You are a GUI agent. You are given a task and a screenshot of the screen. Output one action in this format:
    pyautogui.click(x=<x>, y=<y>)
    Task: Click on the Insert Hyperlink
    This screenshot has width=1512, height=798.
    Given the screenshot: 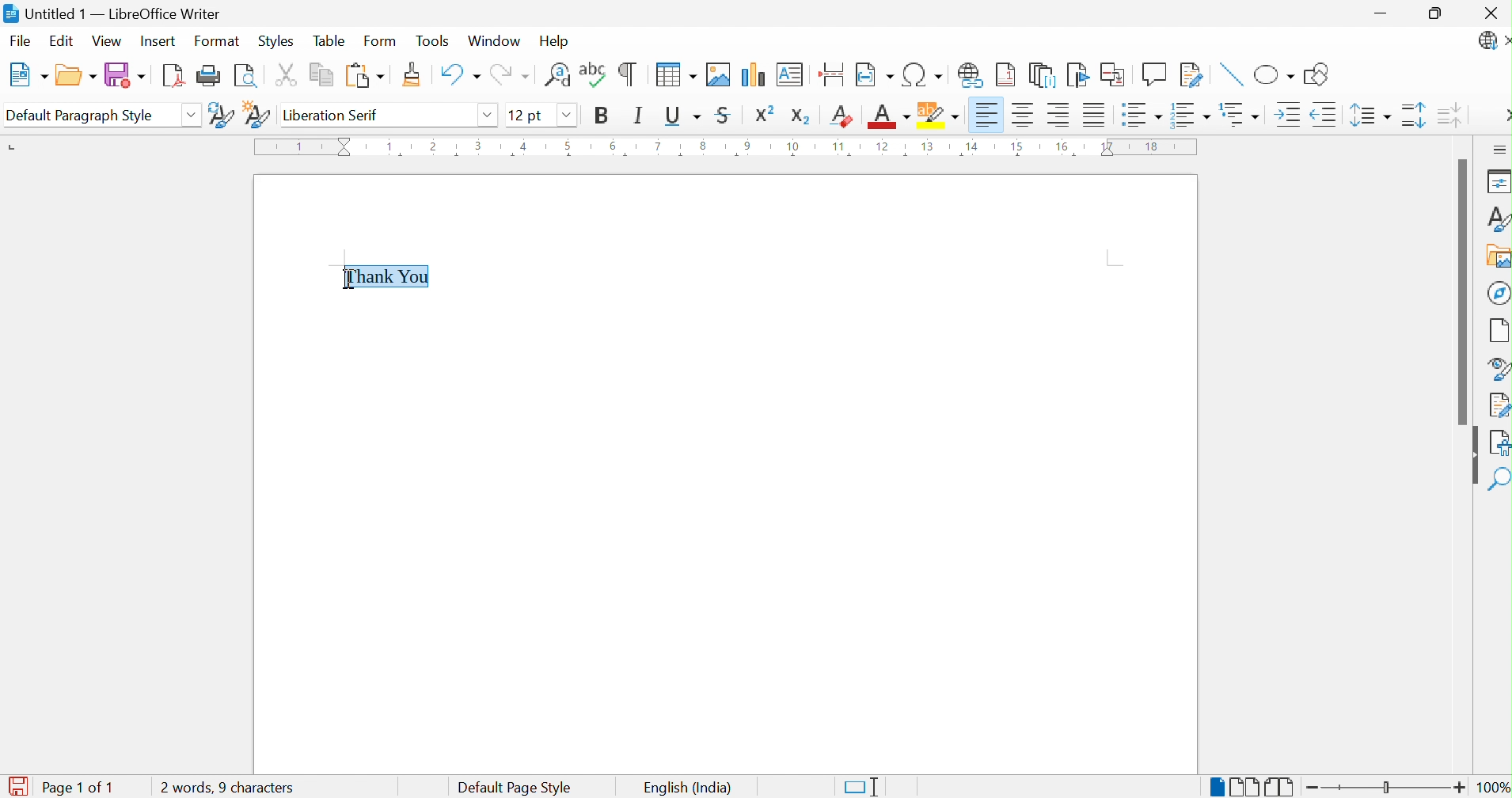 What is the action you would take?
    pyautogui.click(x=971, y=76)
    